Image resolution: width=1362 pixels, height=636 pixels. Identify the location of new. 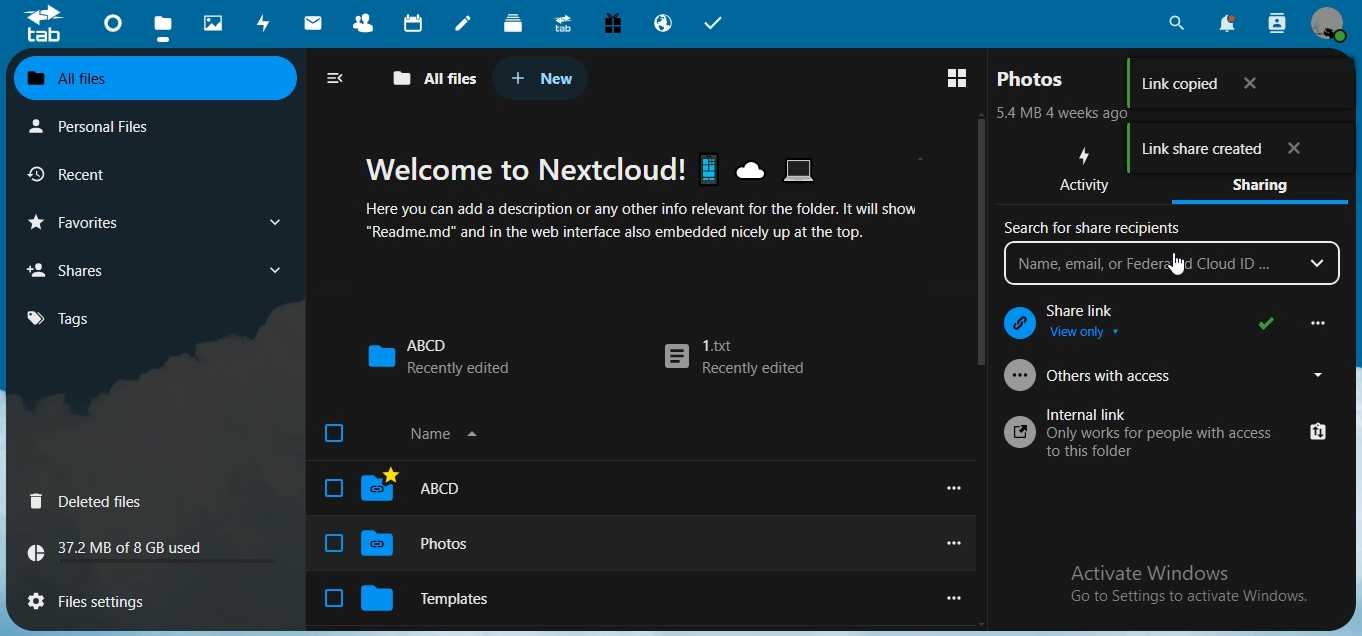
(542, 78).